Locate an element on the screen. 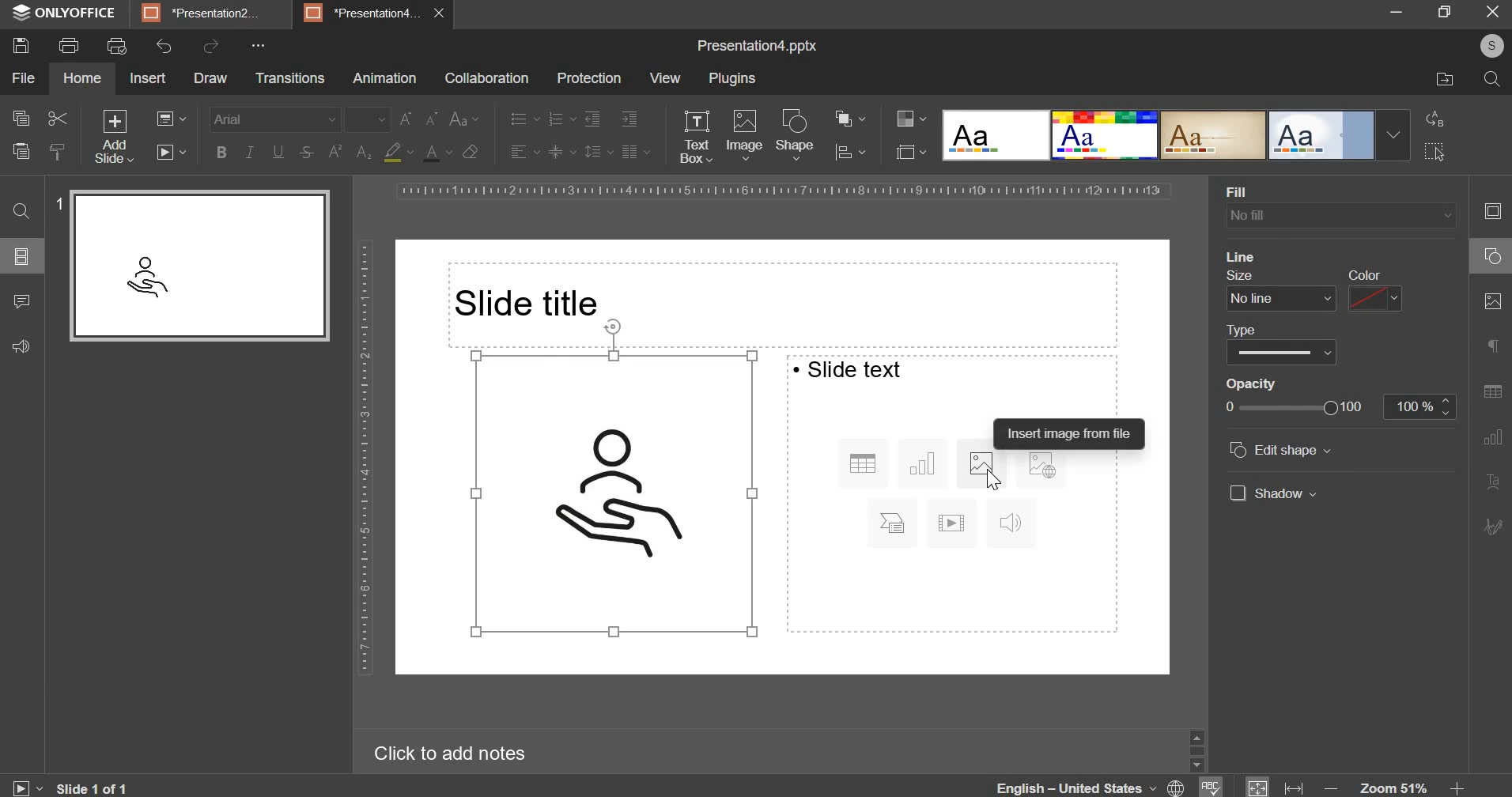 The image size is (1512, 797). design is located at coordinates (1323, 136).